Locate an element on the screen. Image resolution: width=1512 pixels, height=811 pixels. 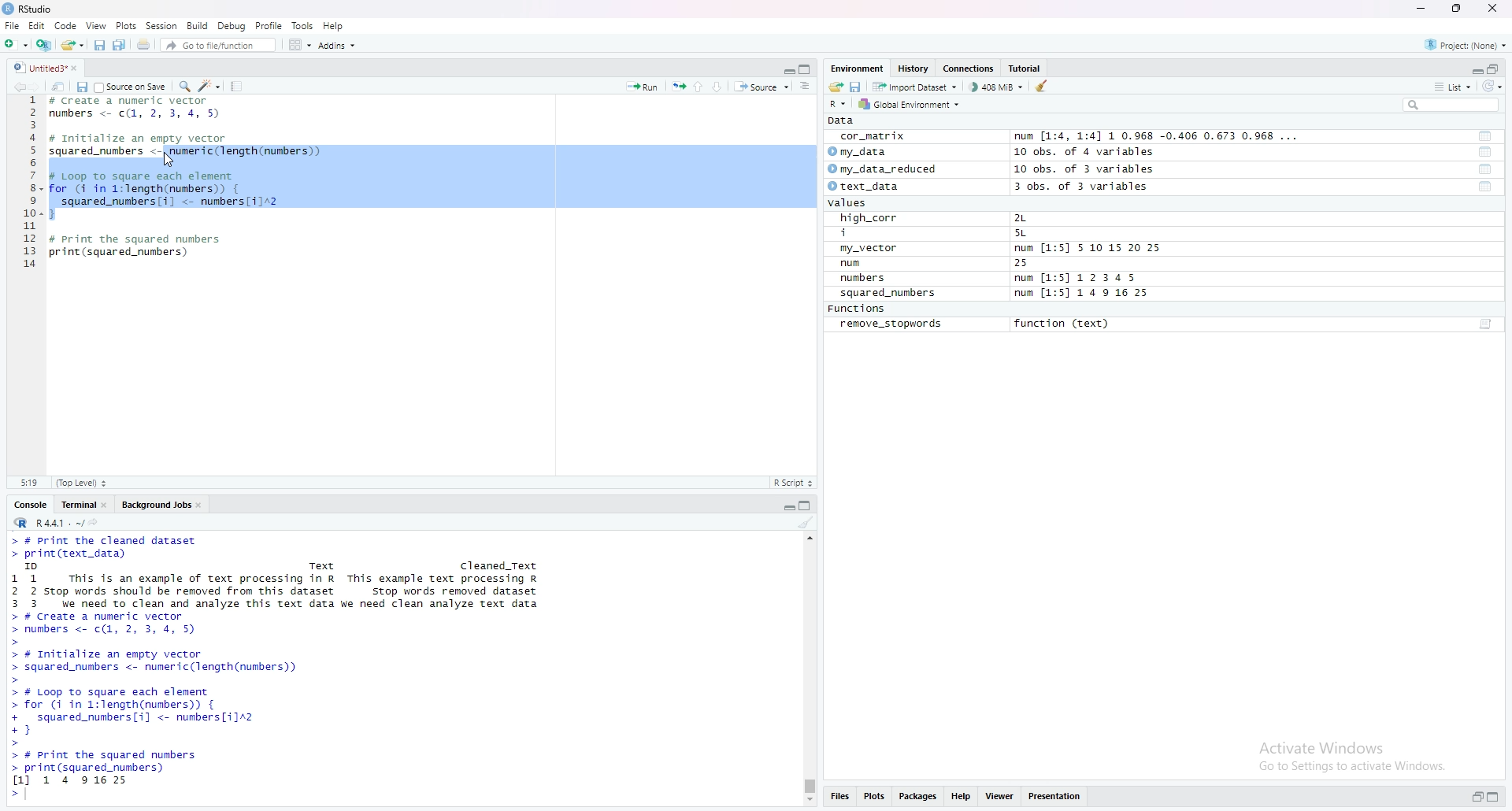
(Top Level) is located at coordinates (81, 483).